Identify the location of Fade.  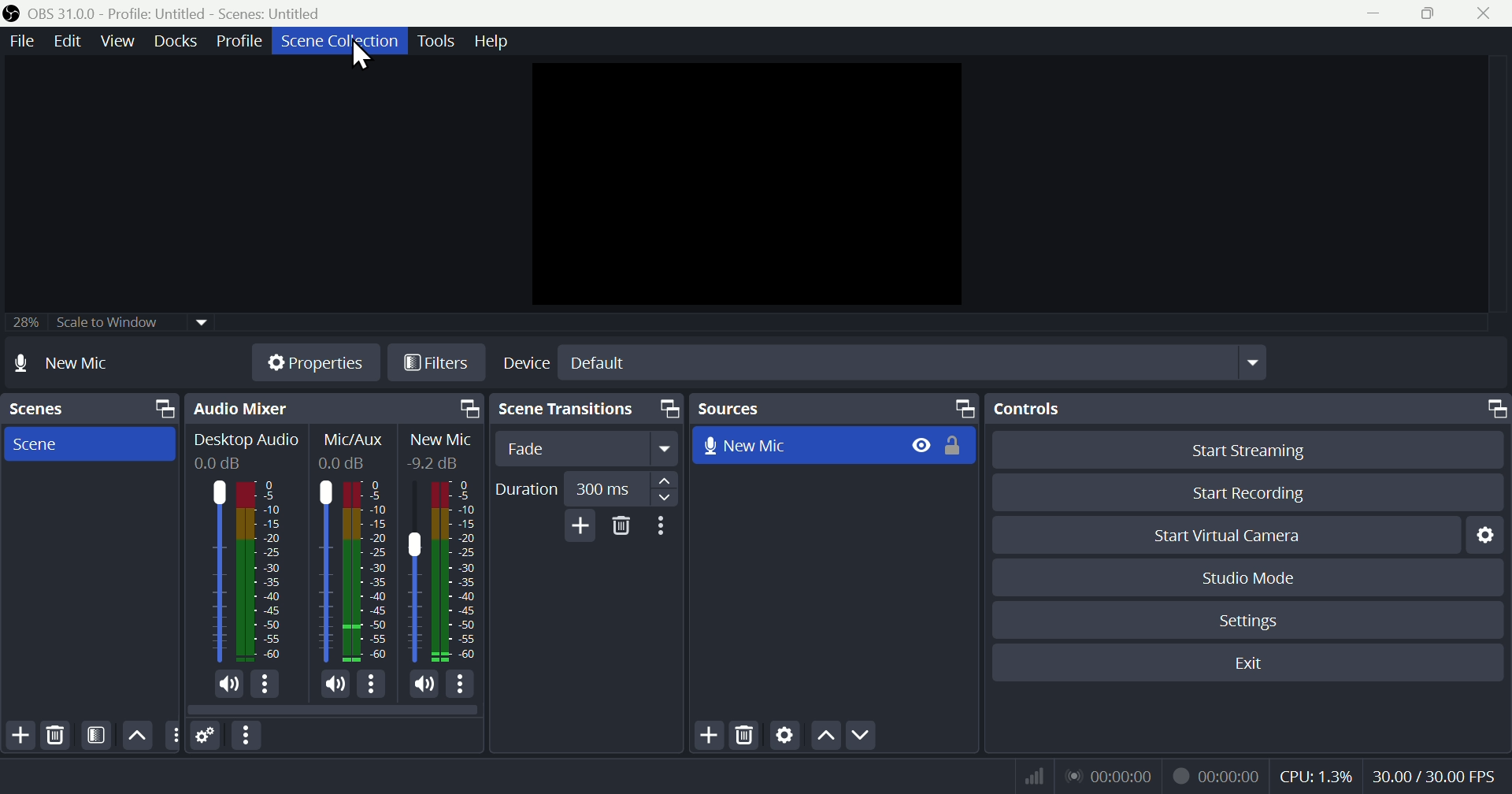
(588, 449).